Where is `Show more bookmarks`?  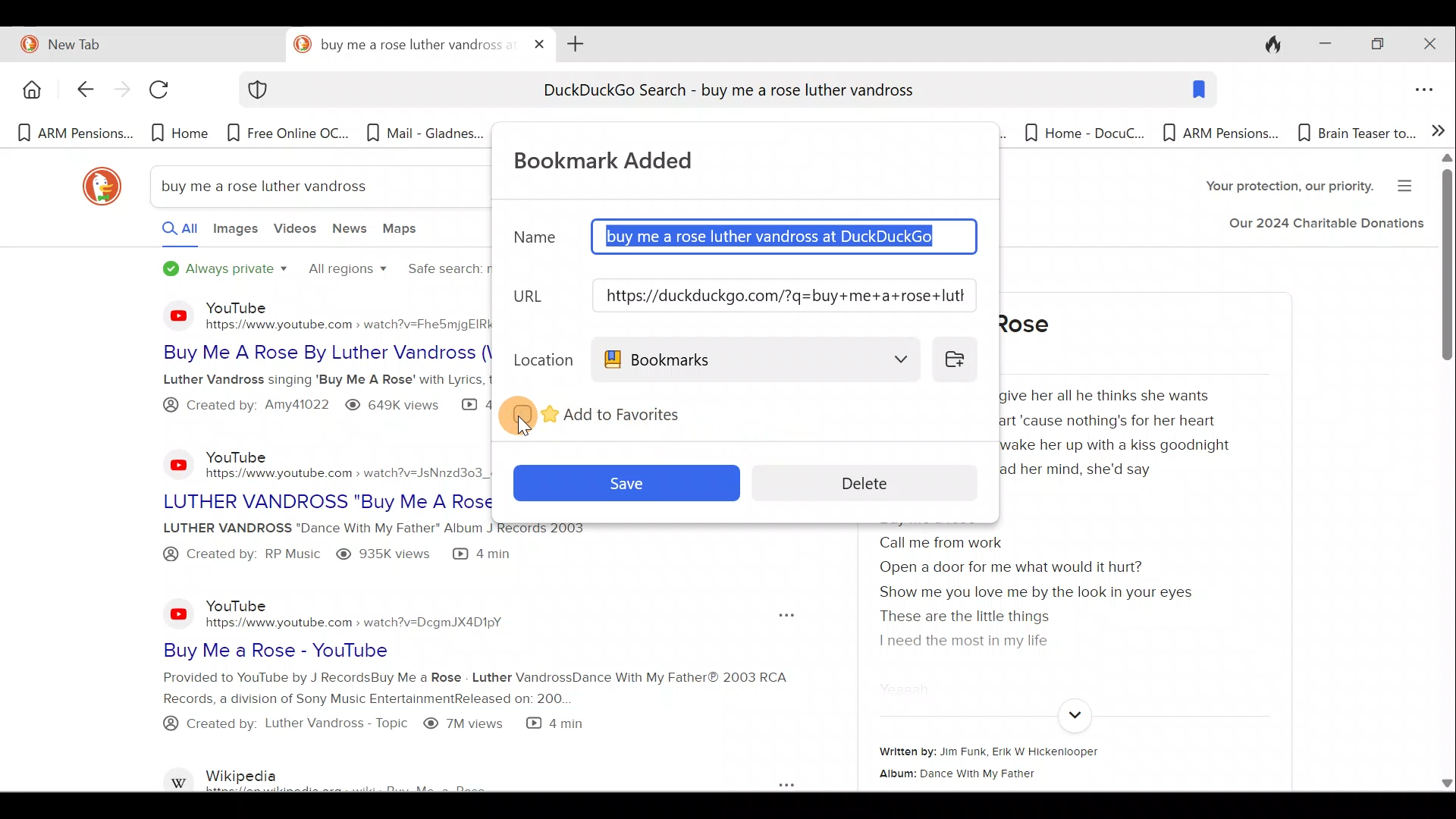
Show more bookmarks is located at coordinates (1439, 129).